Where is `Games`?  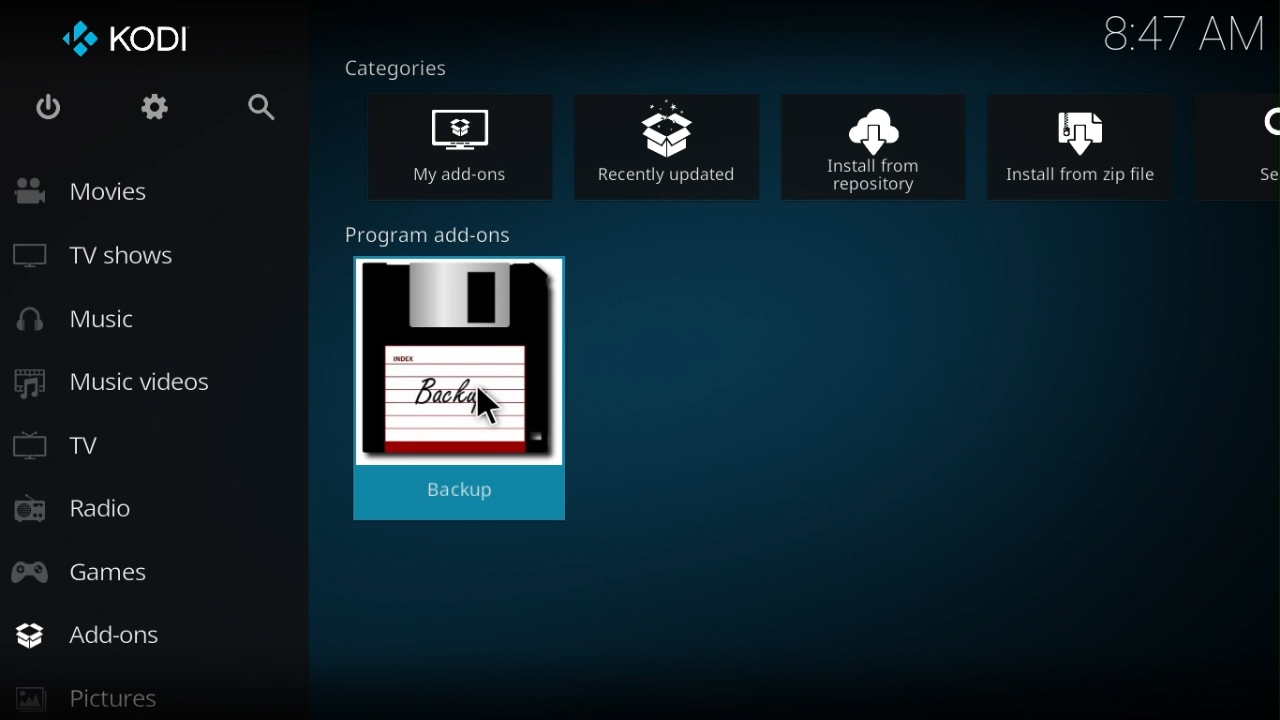
Games is located at coordinates (106, 568).